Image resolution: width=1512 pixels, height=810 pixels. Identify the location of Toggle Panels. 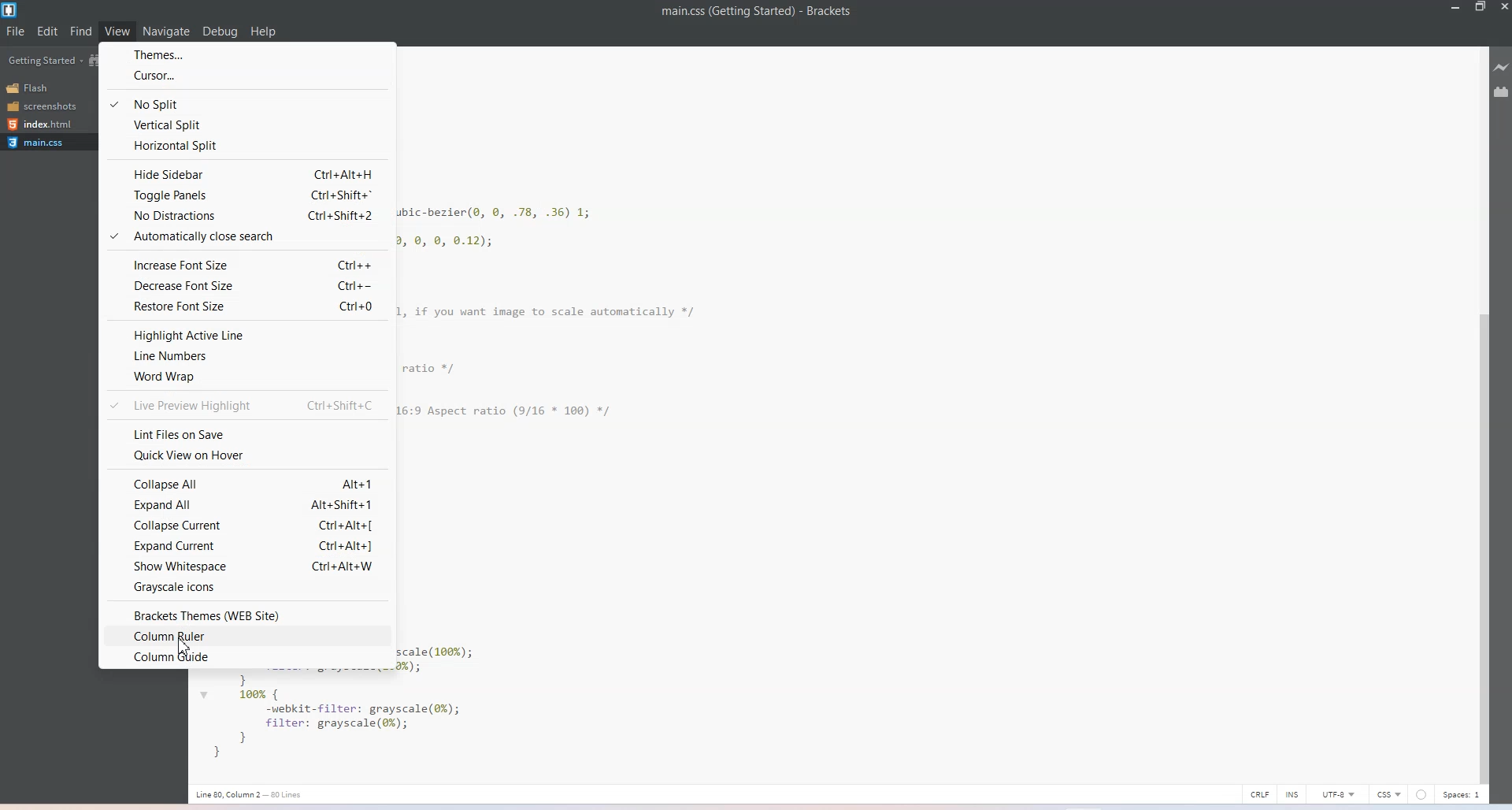
(246, 195).